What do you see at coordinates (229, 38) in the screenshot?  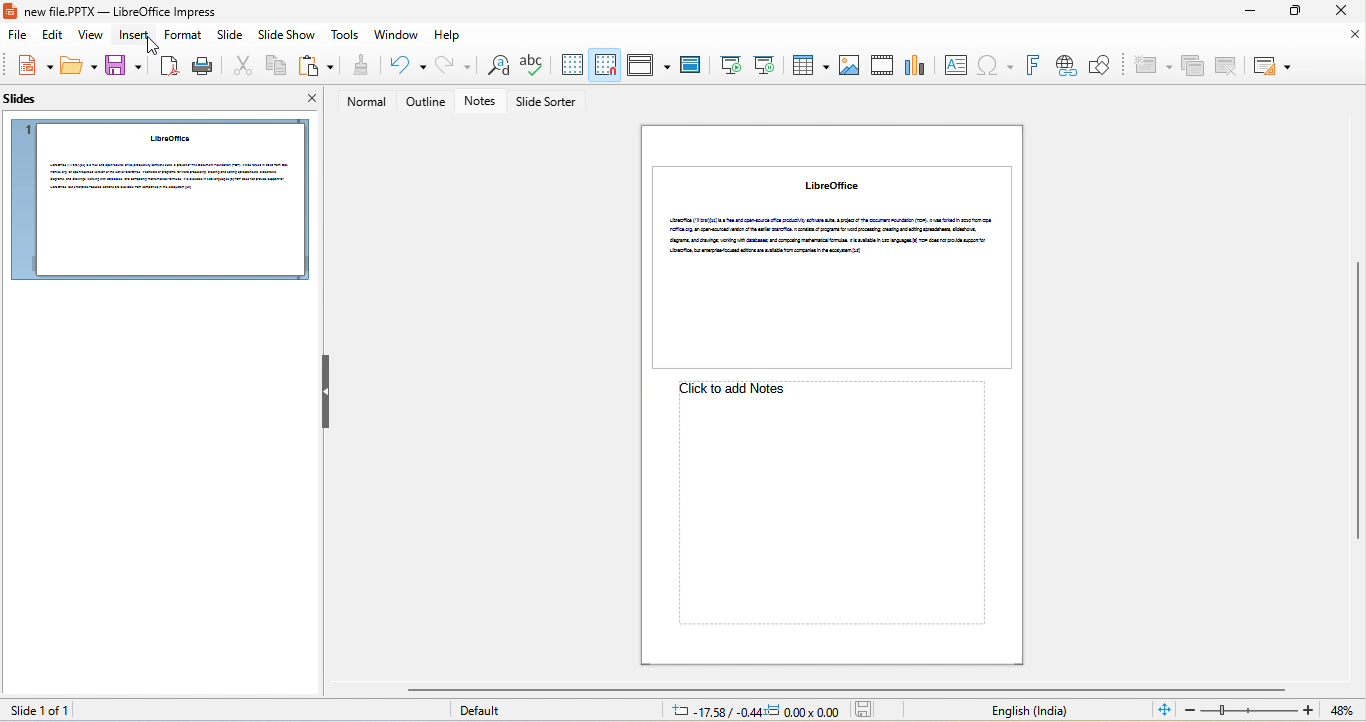 I see `slide` at bounding box center [229, 38].